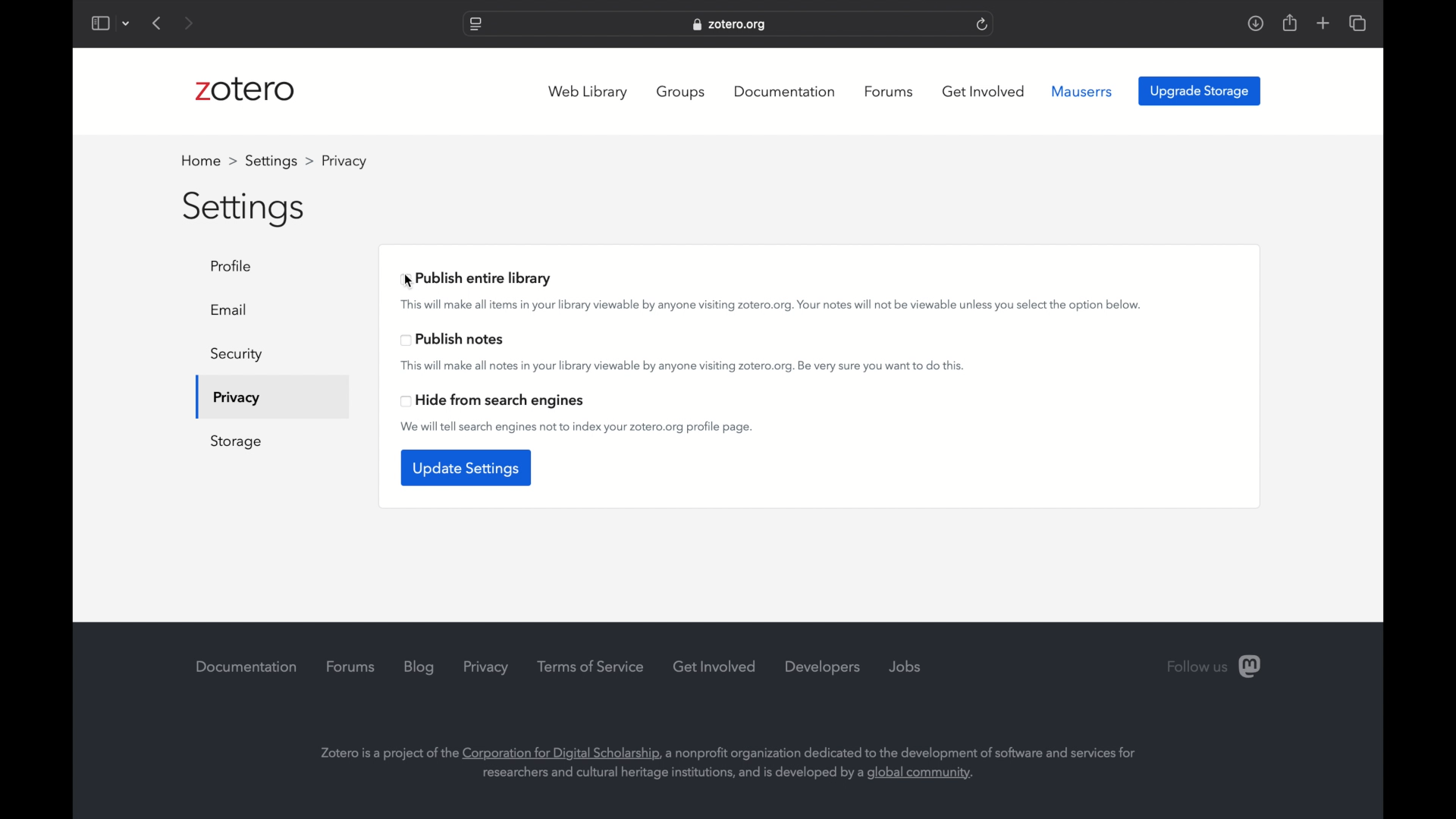 This screenshot has height=819, width=1456. Describe the element at coordinates (237, 354) in the screenshot. I see `security` at that location.